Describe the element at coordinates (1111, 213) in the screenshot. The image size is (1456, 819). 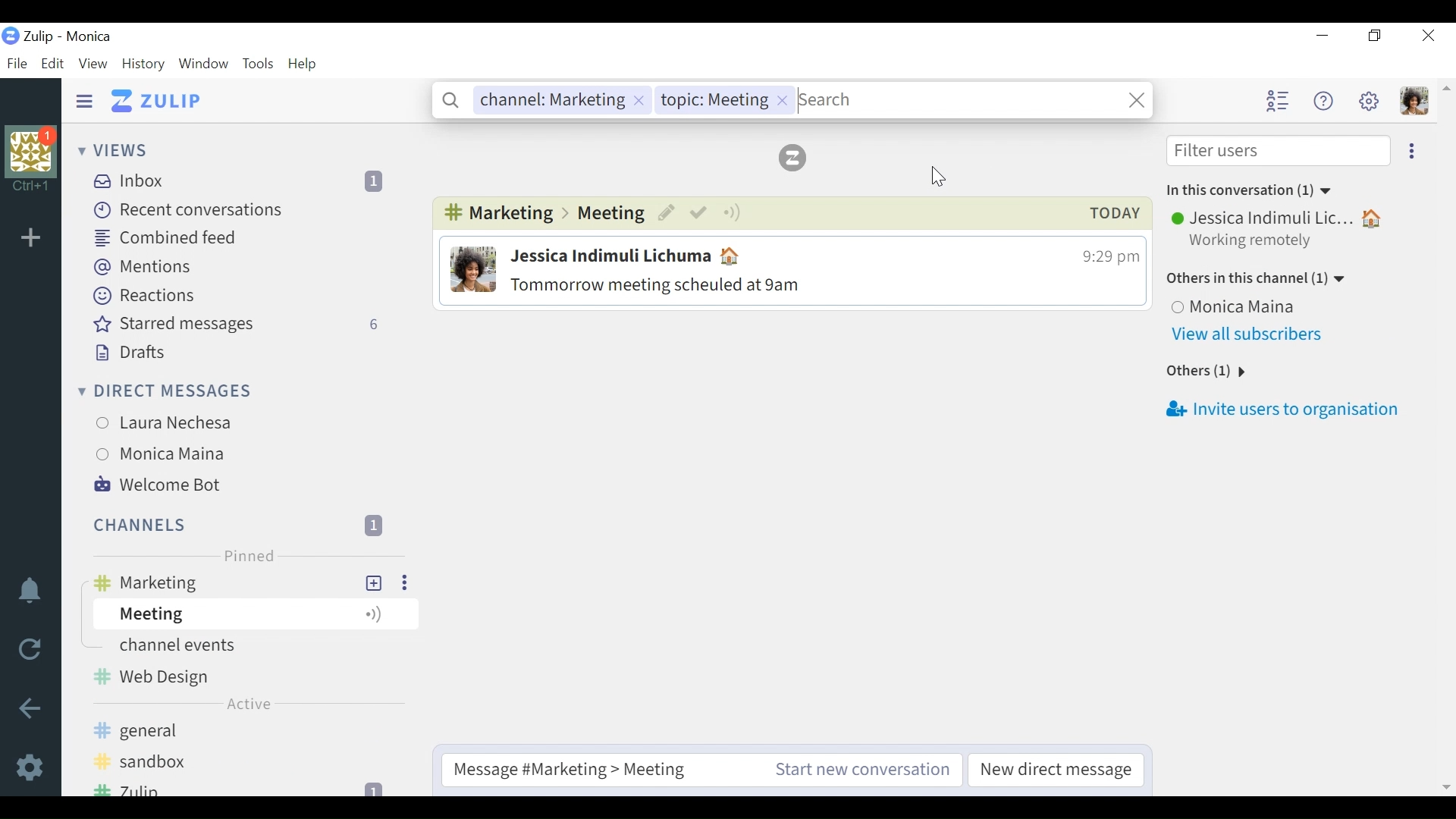
I see `Today` at that location.